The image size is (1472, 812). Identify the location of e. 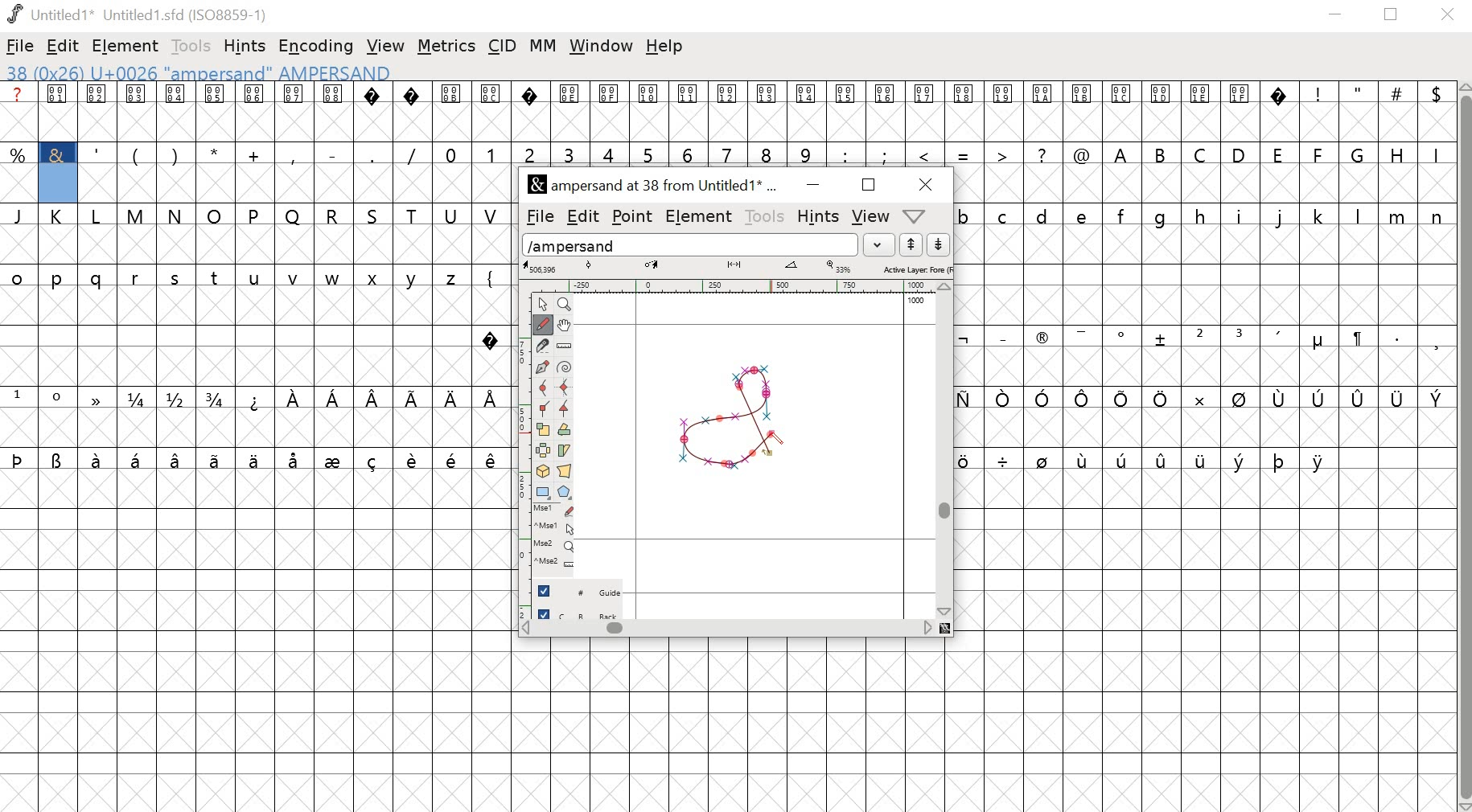
(1084, 215).